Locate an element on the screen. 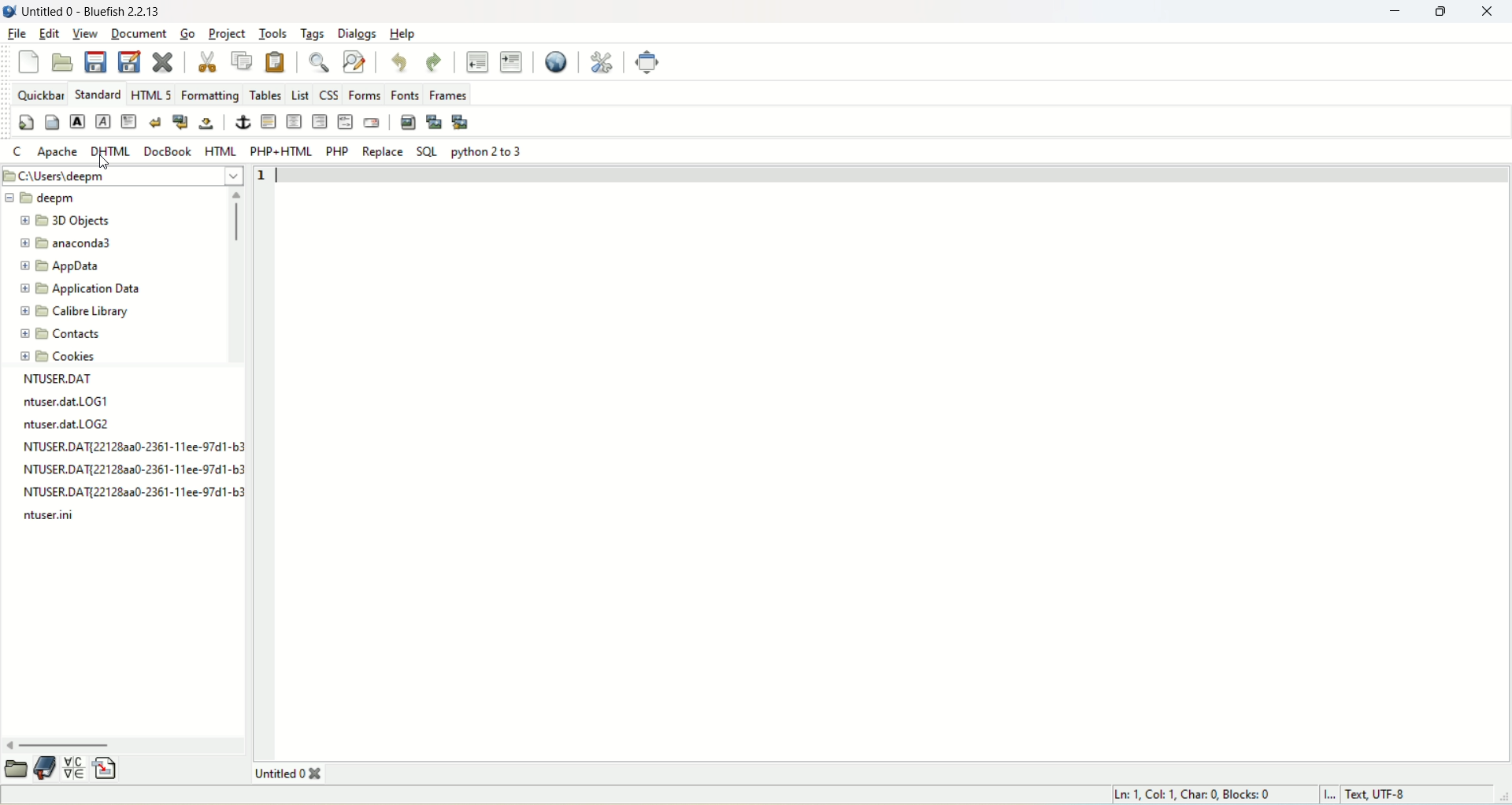 The height and width of the screenshot is (805, 1512). title is located at coordinates (287, 773).